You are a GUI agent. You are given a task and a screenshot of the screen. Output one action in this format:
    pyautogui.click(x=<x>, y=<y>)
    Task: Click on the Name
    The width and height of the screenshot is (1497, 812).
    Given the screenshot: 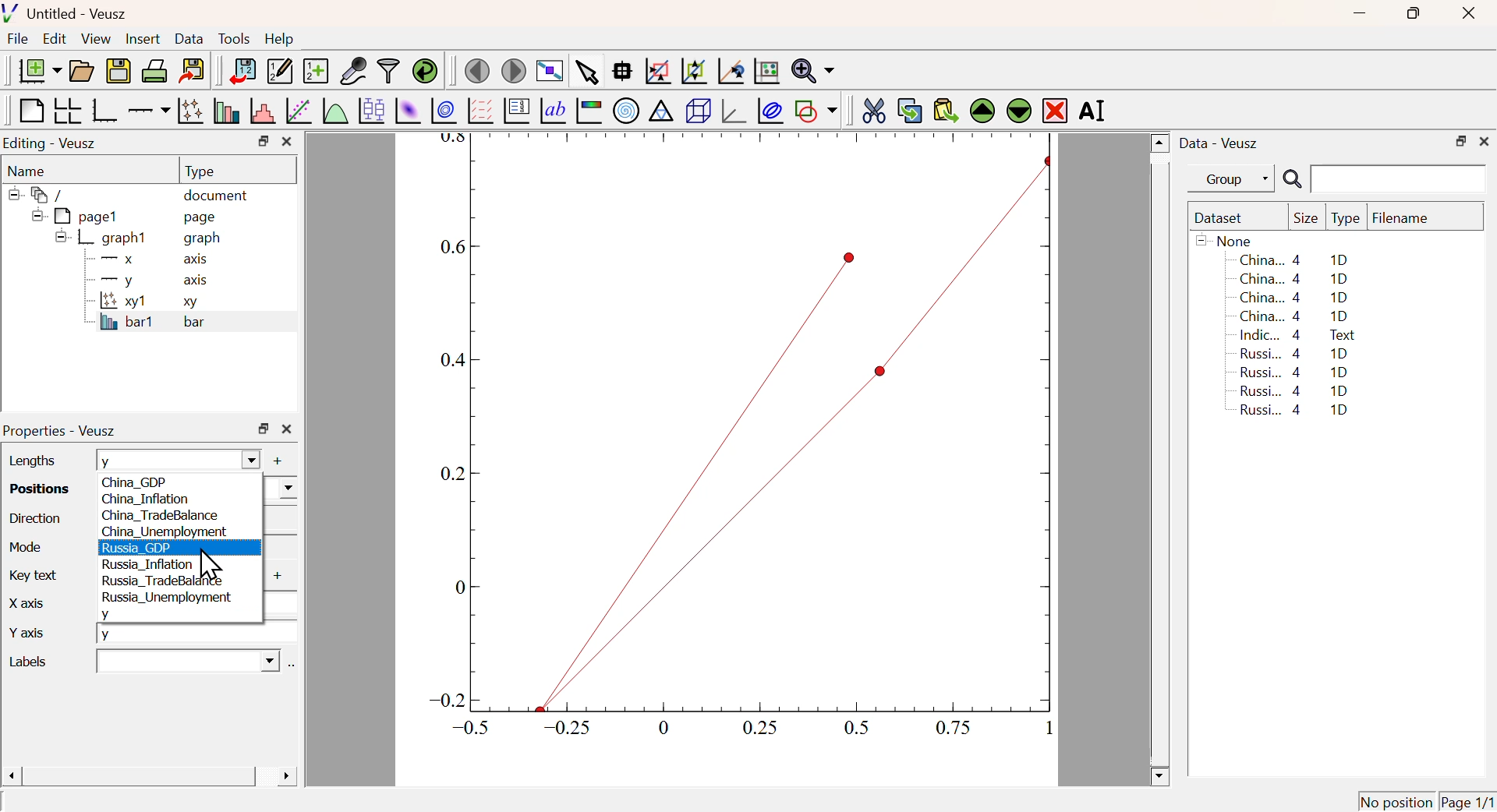 What is the action you would take?
    pyautogui.click(x=28, y=171)
    